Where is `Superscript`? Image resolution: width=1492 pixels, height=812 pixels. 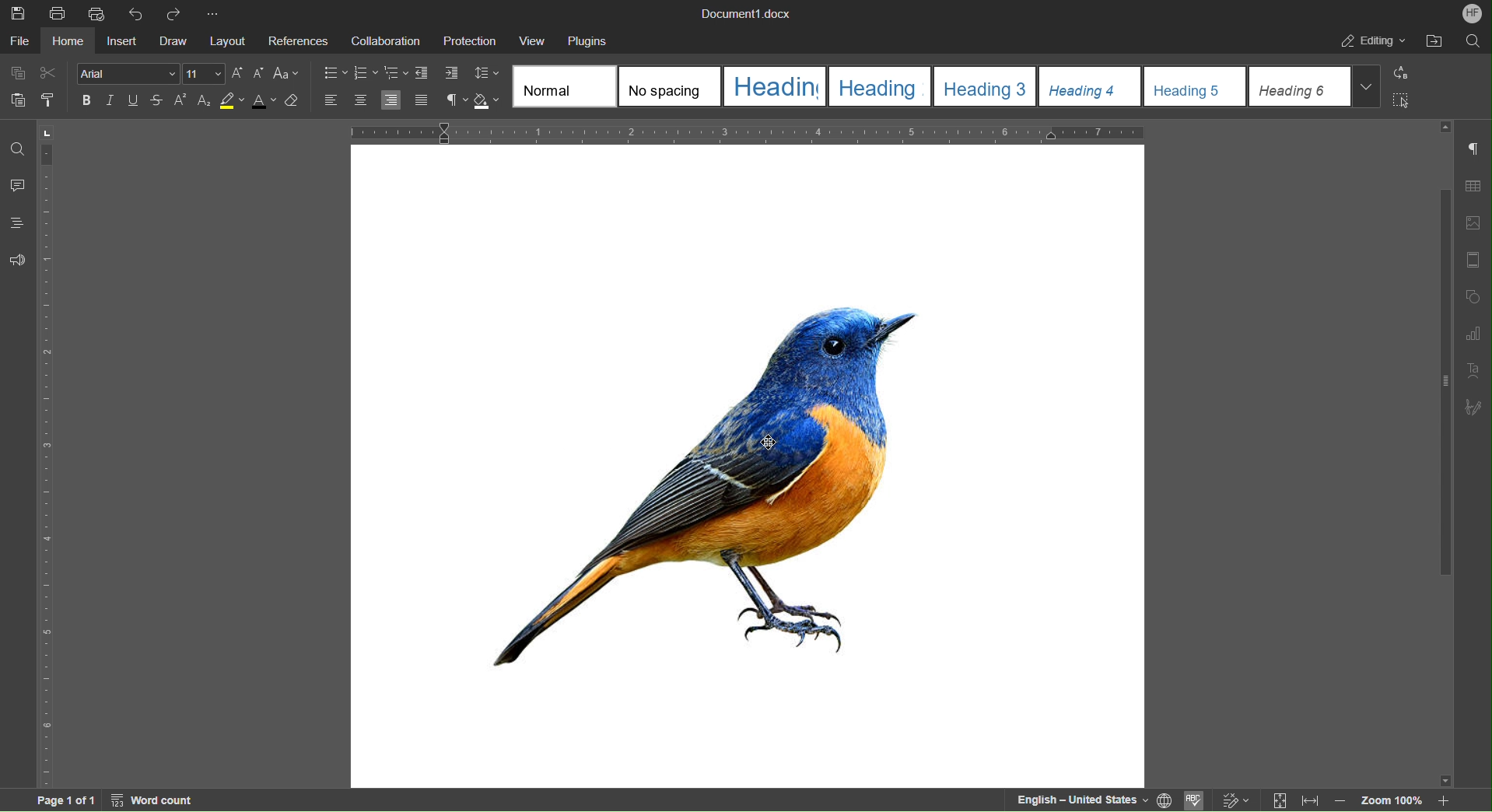 Superscript is located at coordinates (180, 100).